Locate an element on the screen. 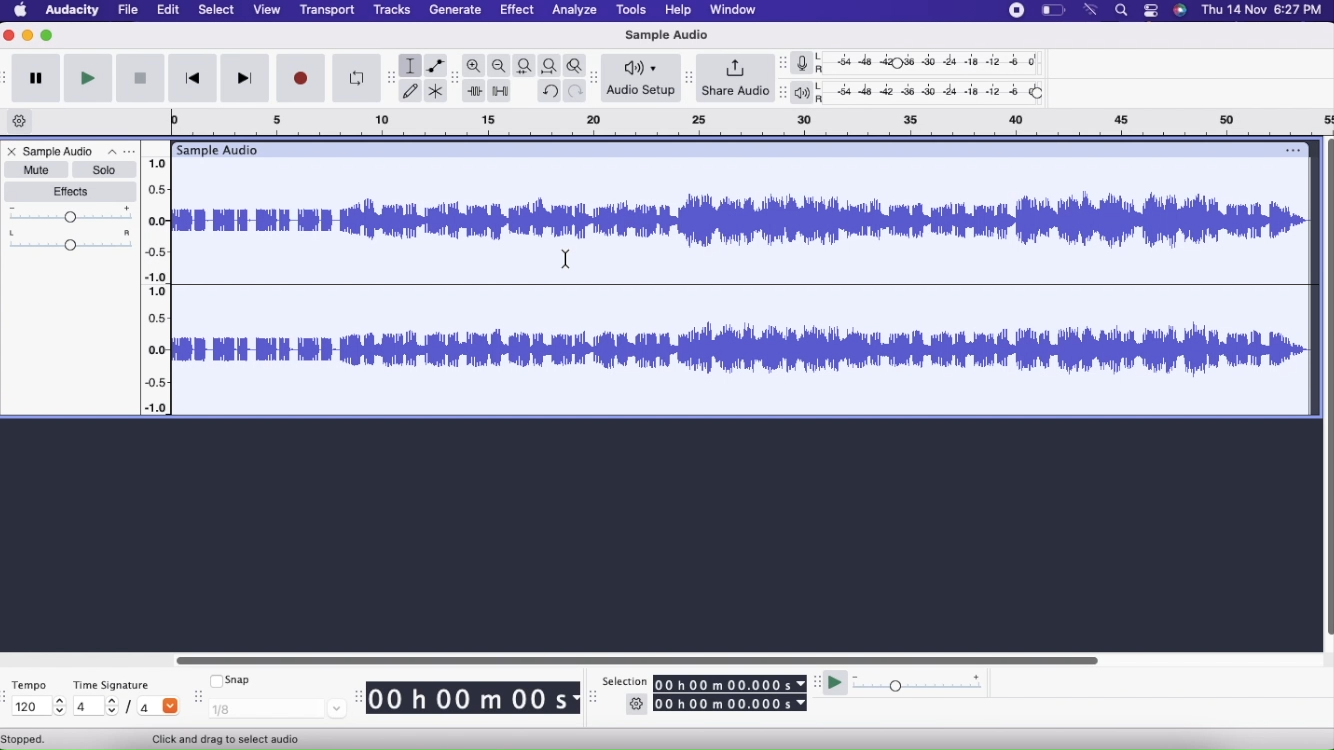 This screenshot has height=750, width=1334. Zoom Out is located at coordinates (500, 66).